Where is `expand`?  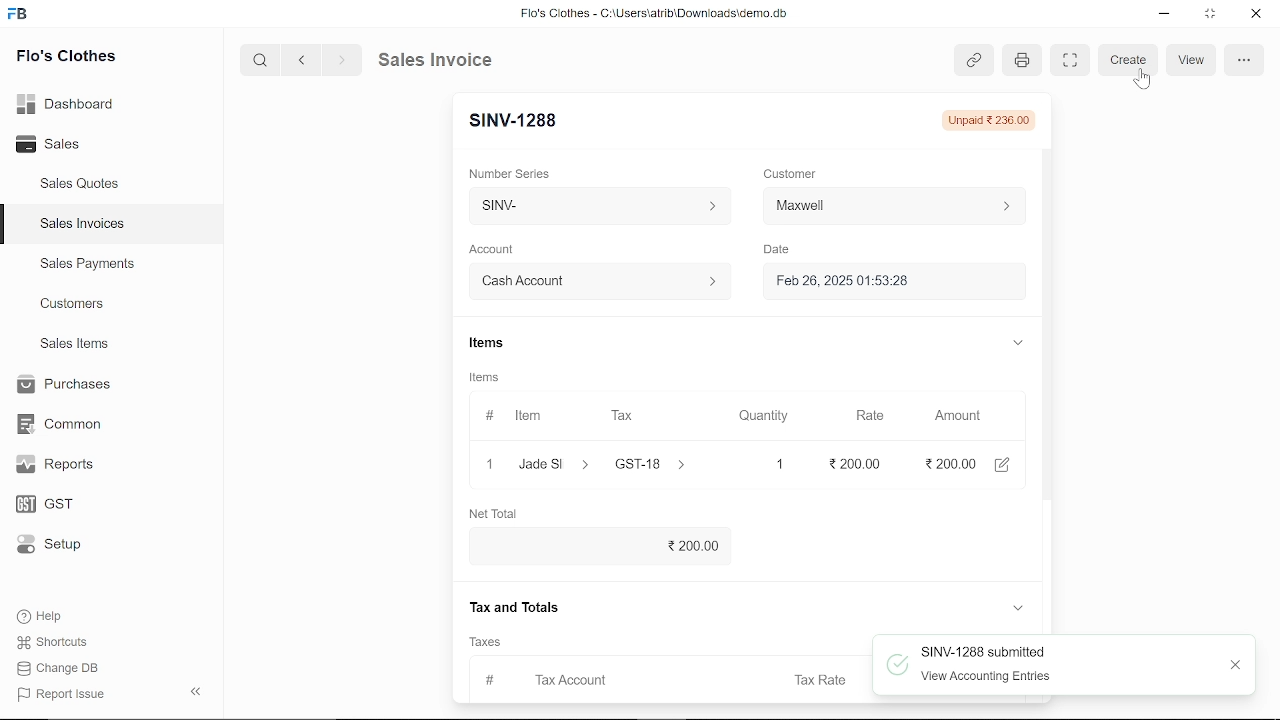 expand is located at coordinates (1016, 341).